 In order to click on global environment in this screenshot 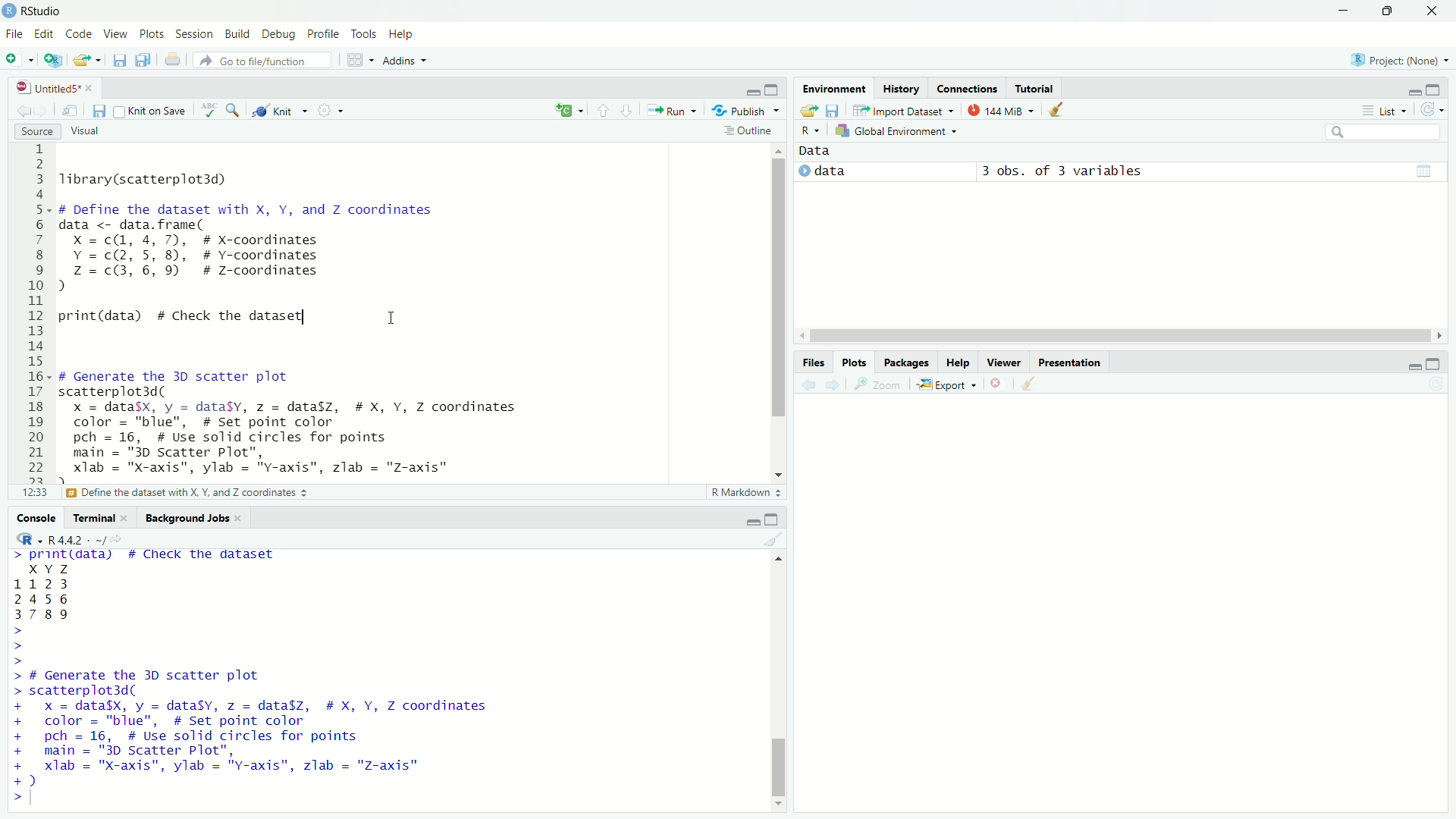, I will do `click(904, 132)`.